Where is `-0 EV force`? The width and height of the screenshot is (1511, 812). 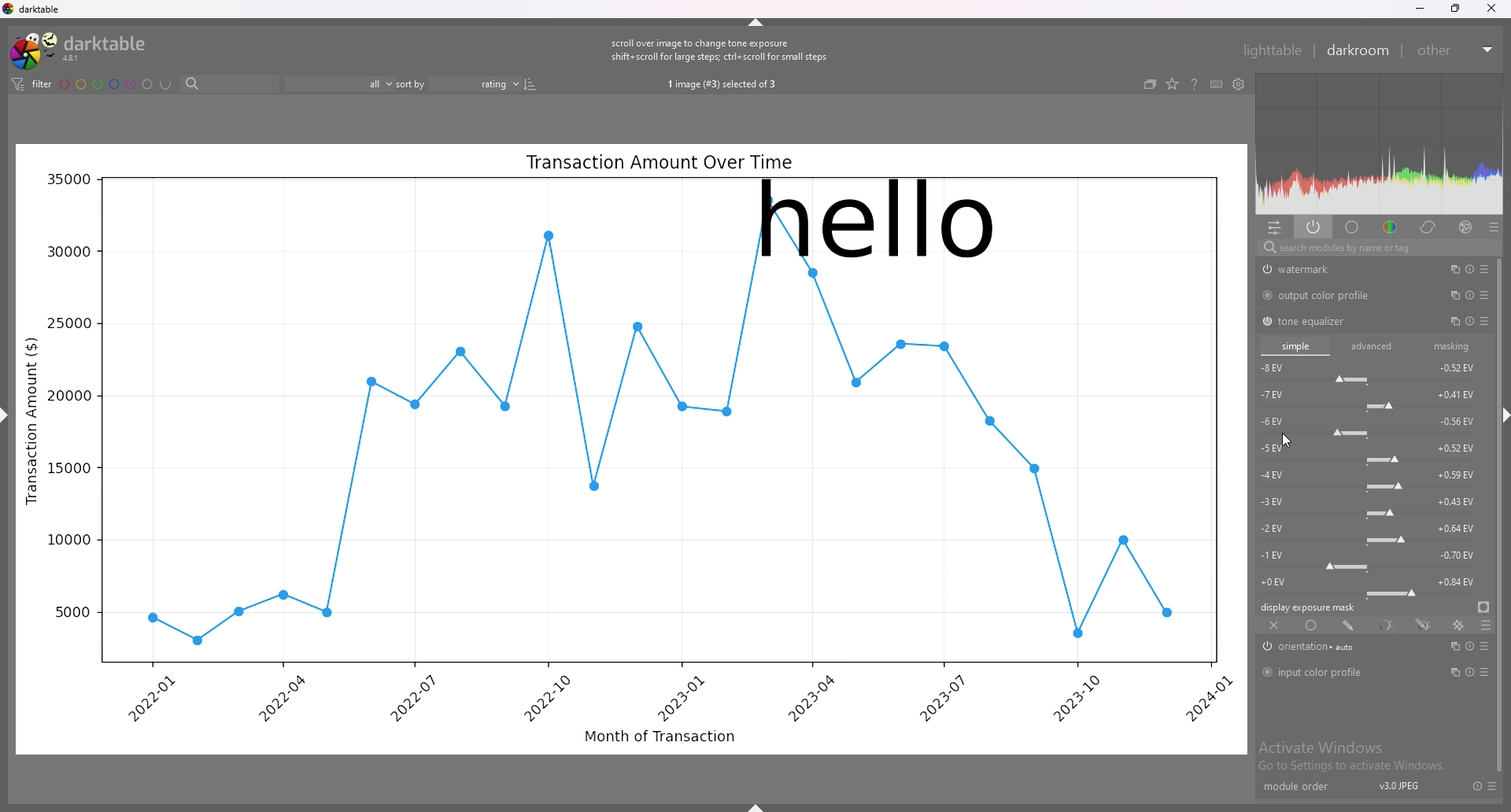 -0 EV force is located at coordinates (1372, 585).